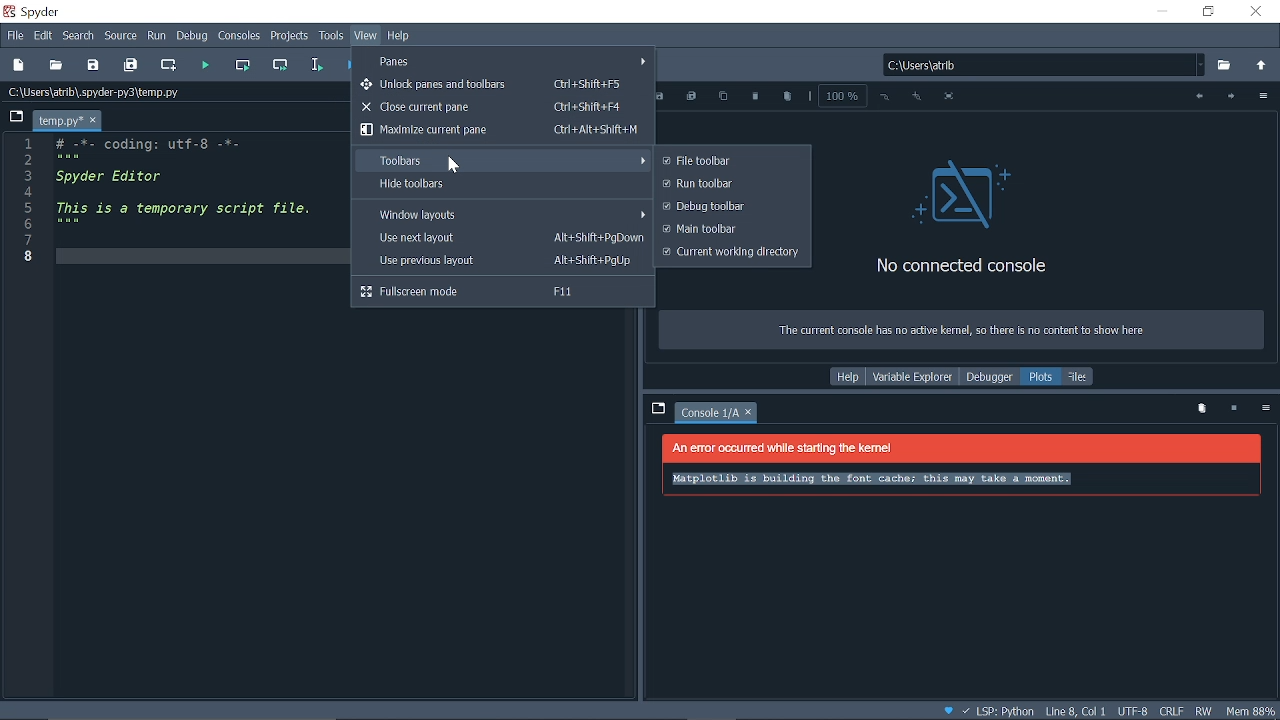  I want to click on Remove all variable from namepace, so click(1202, 409).